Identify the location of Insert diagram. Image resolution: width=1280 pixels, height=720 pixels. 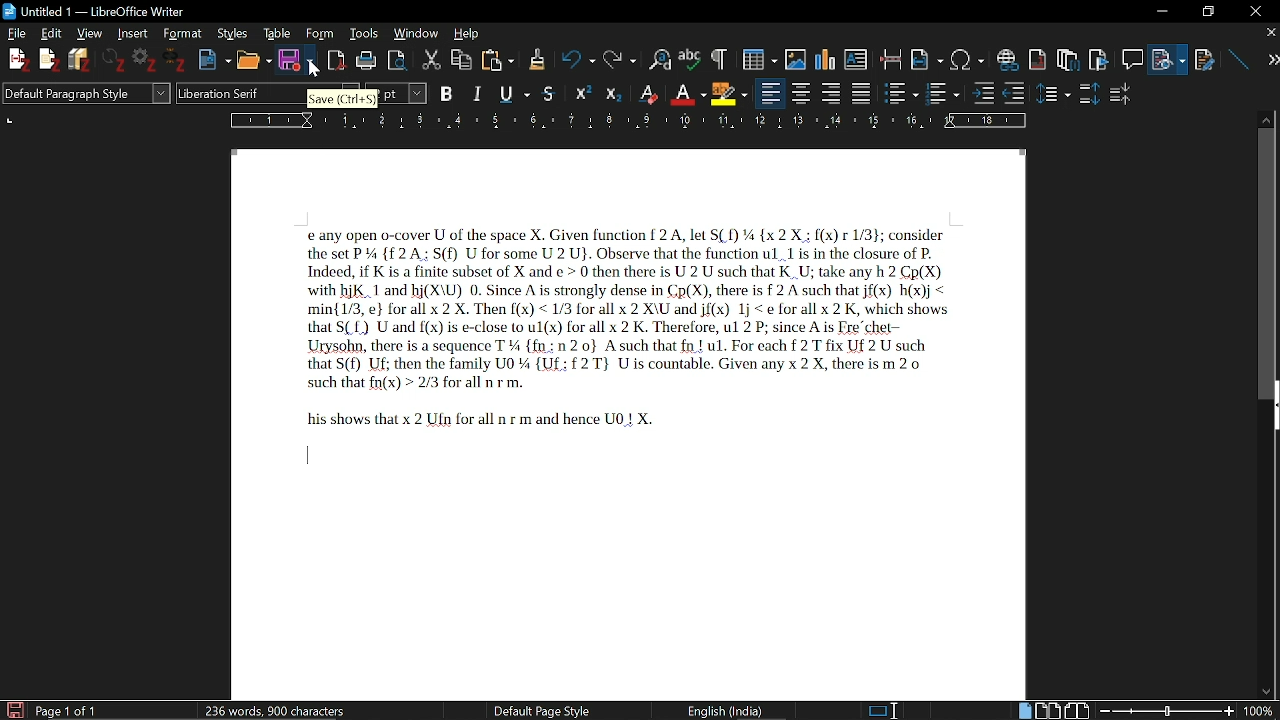
(825, 56).